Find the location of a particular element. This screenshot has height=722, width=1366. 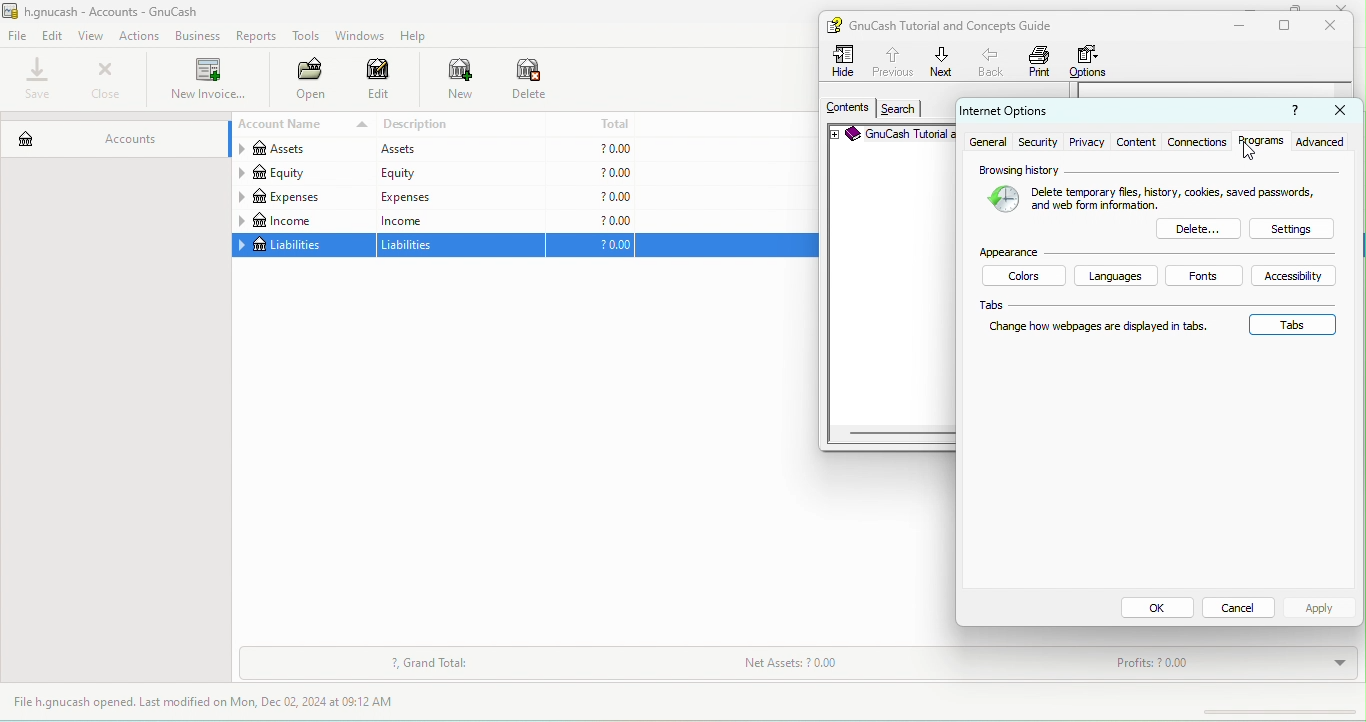

?0.00 is located at coordinates (589, 197).